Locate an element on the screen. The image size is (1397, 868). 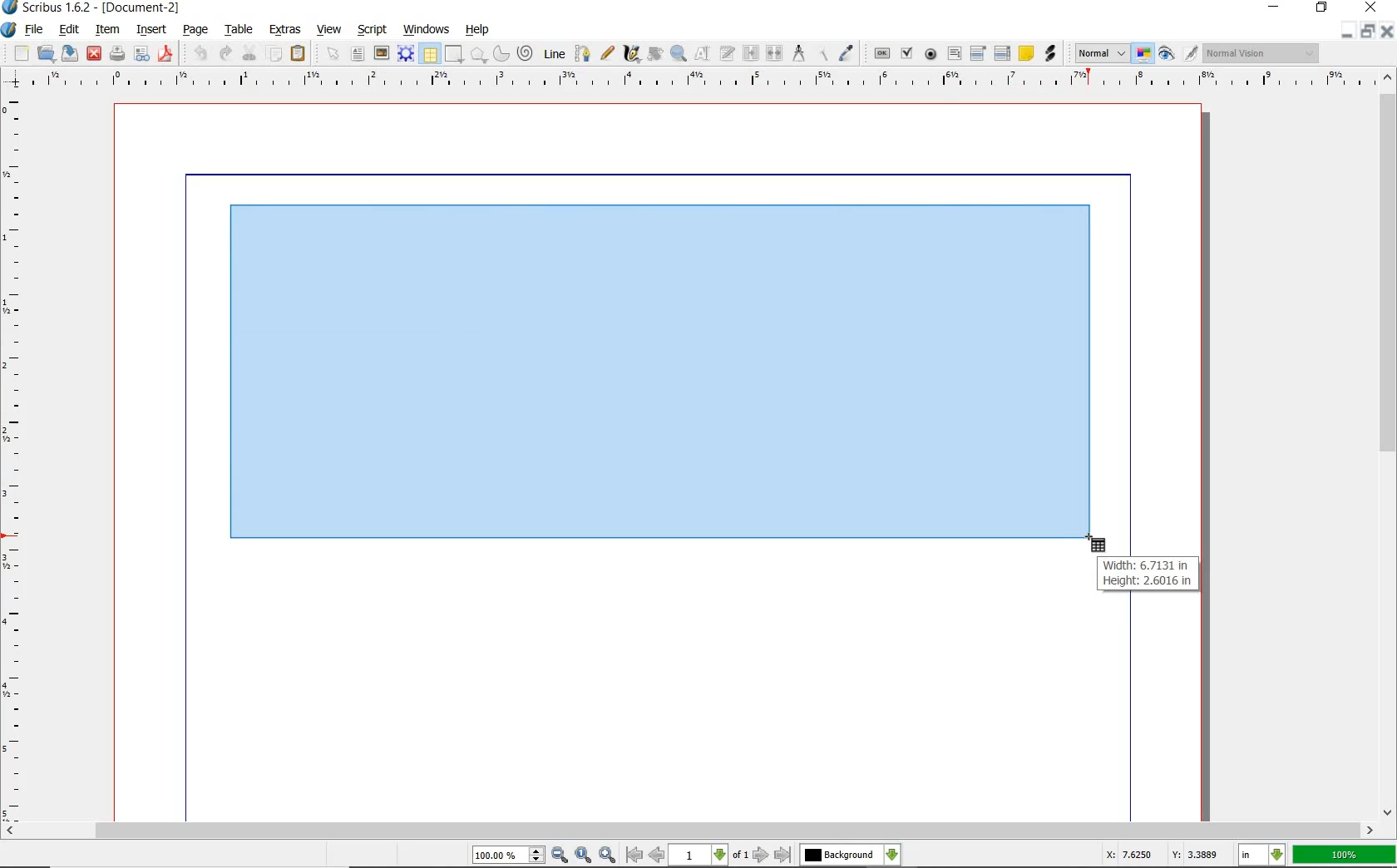
paste is located at coordinates (299, 55).